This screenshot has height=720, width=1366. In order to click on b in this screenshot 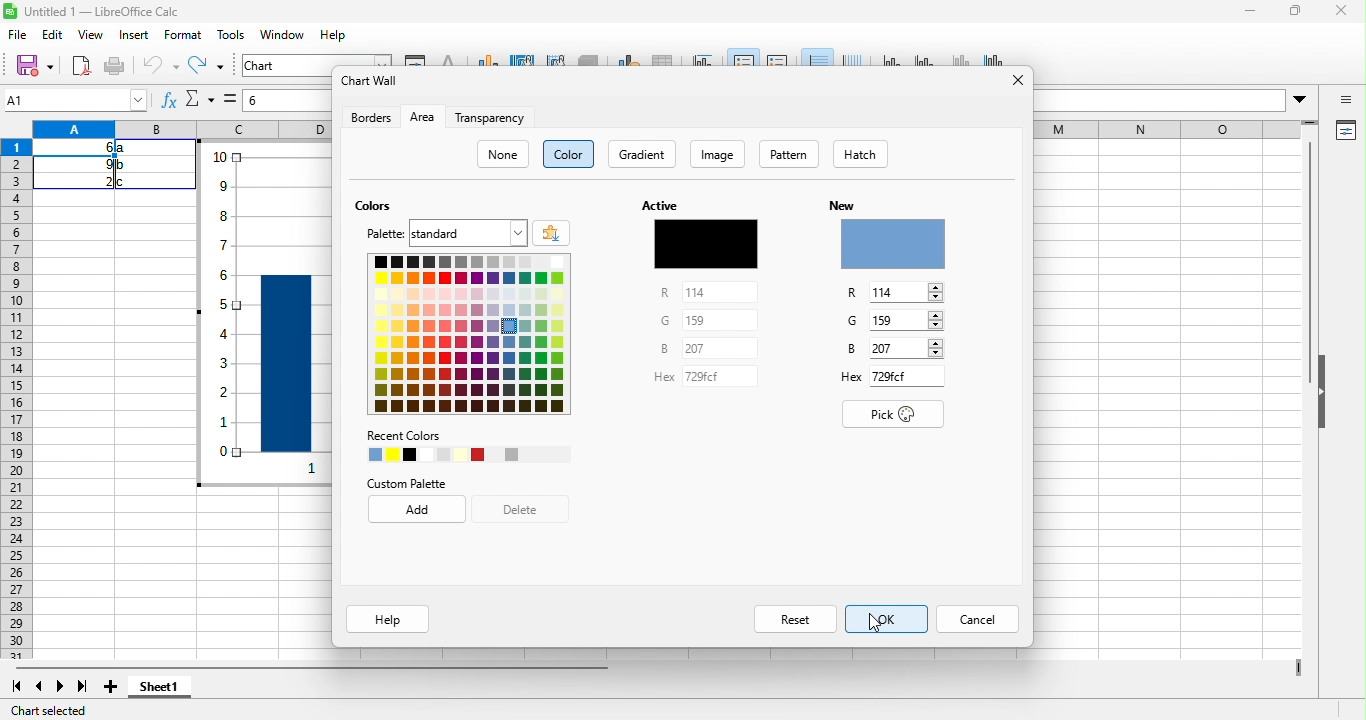, I will do `click(122, 165)`.